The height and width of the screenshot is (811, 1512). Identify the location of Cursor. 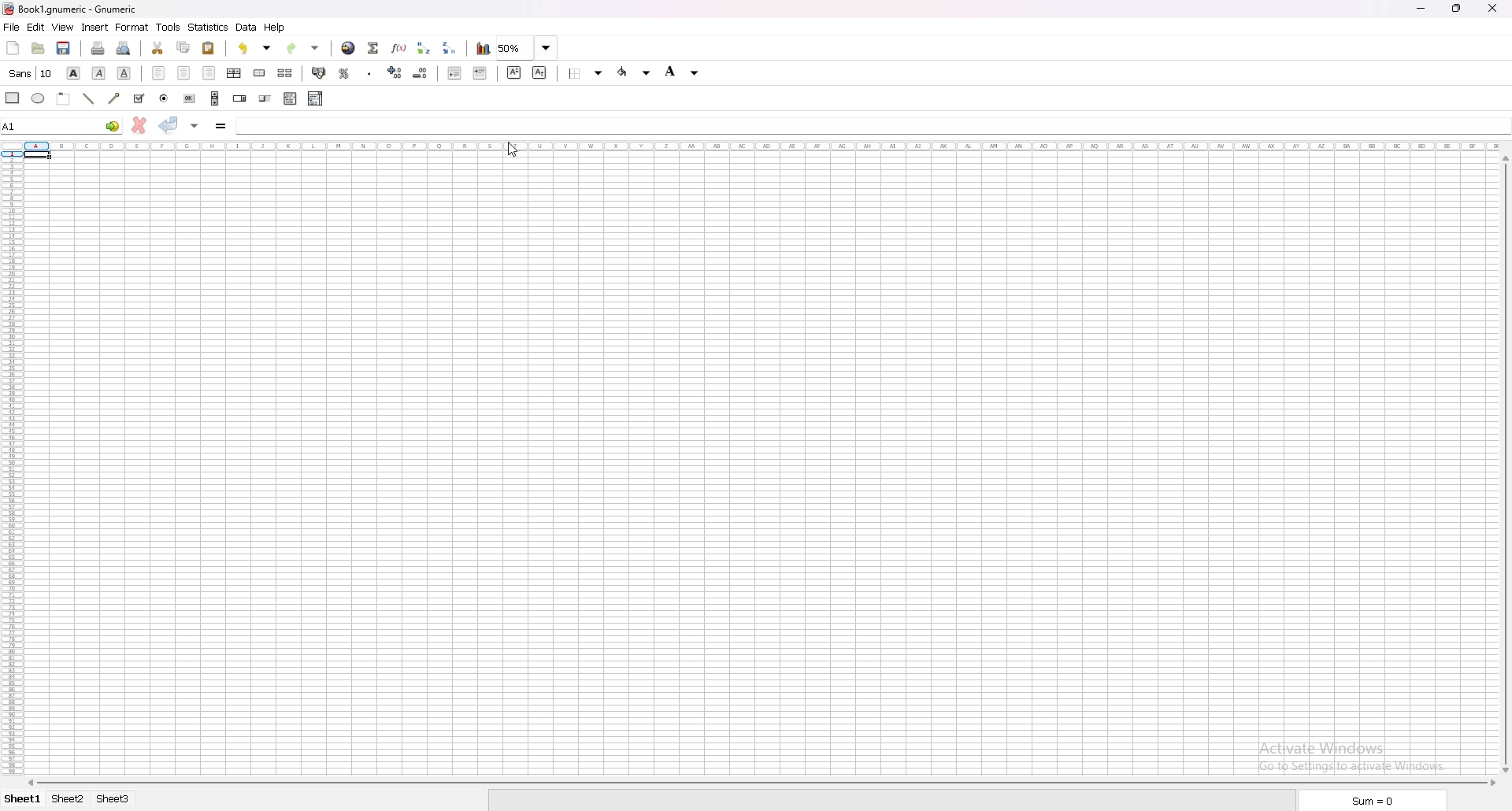
(512, 149).